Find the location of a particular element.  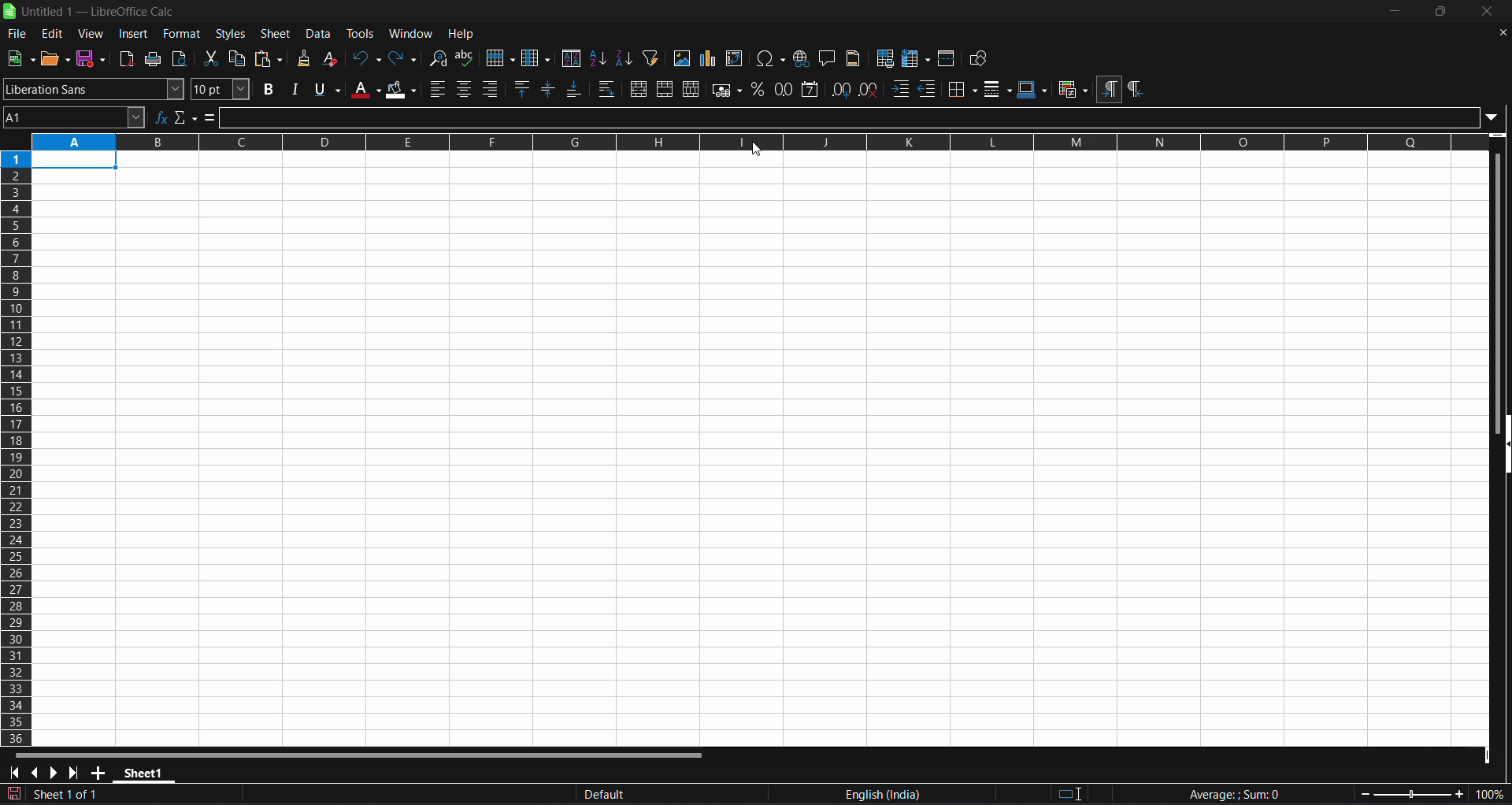

sheet is located at coordinates (275, 33).